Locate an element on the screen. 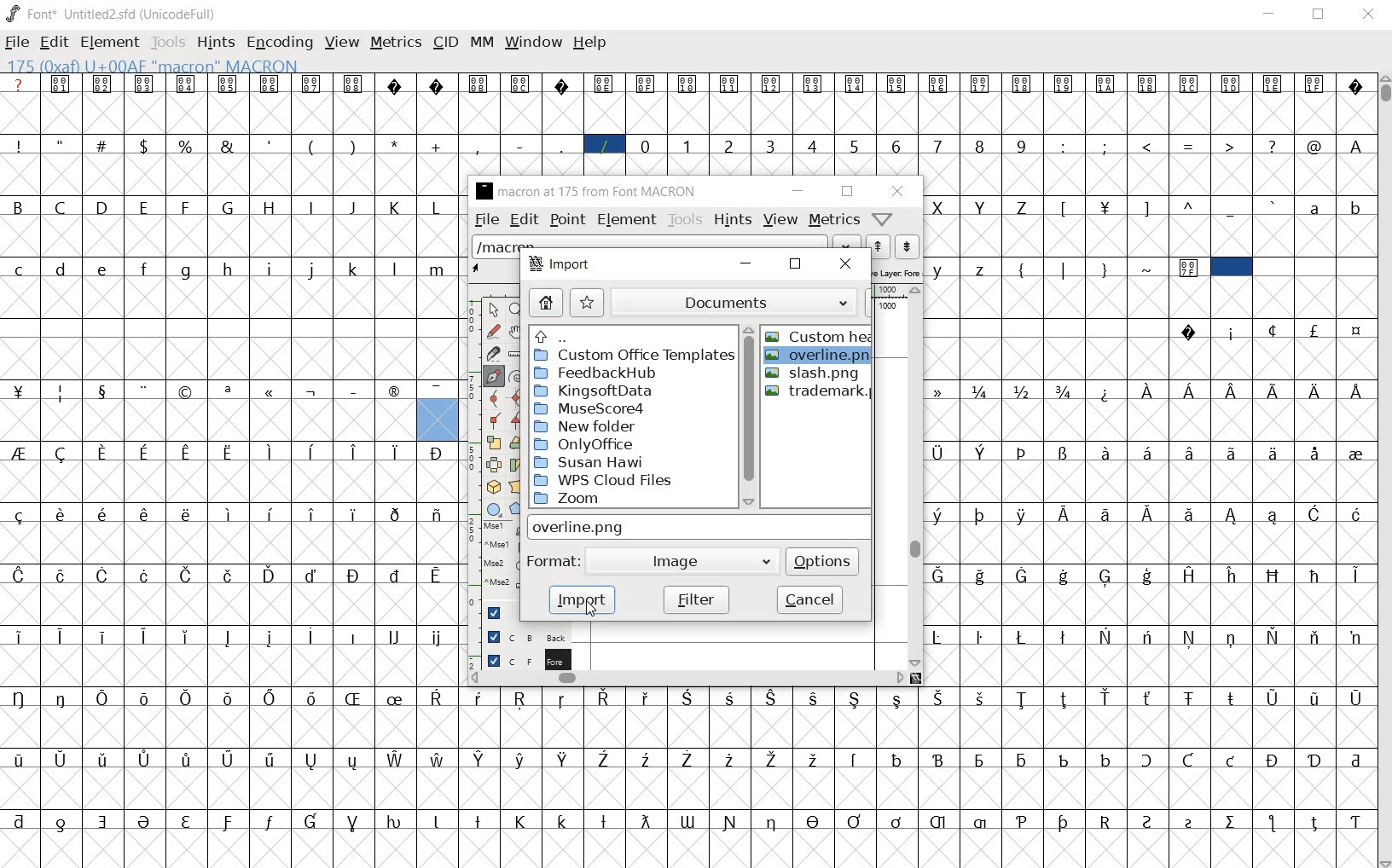 The height and width of the screenshot is (868, 1392). Symbol is located at coordinates (687, 819).